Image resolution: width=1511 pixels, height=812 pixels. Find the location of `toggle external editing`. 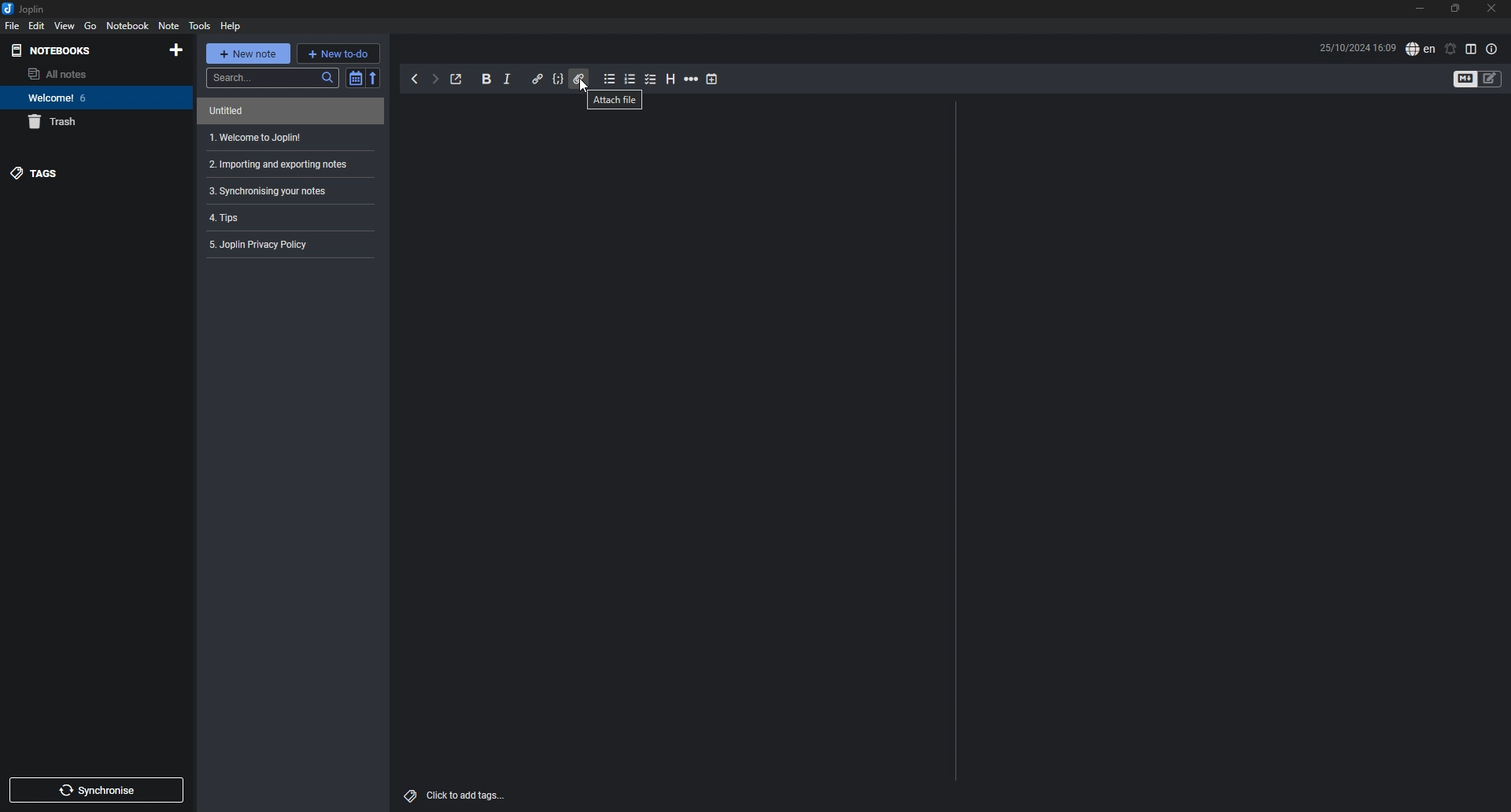

toggle external editing is located at coordinates (457, 79).